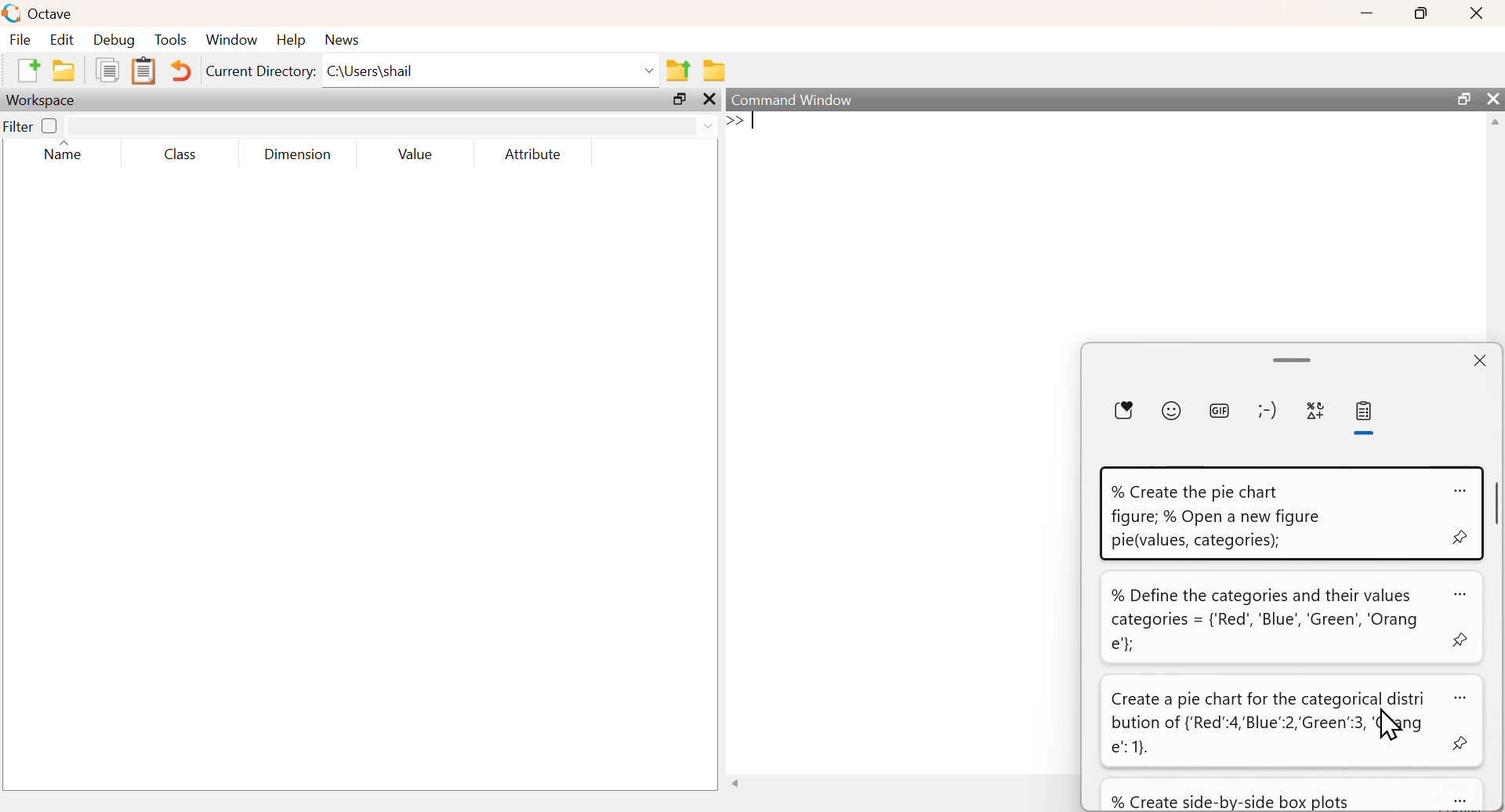  I want to click on Create a pie chart for the categorical distri
bution of {'Red":4,'Blue":2,'Green":3, Png
e" 1}., so click(1270, 725).